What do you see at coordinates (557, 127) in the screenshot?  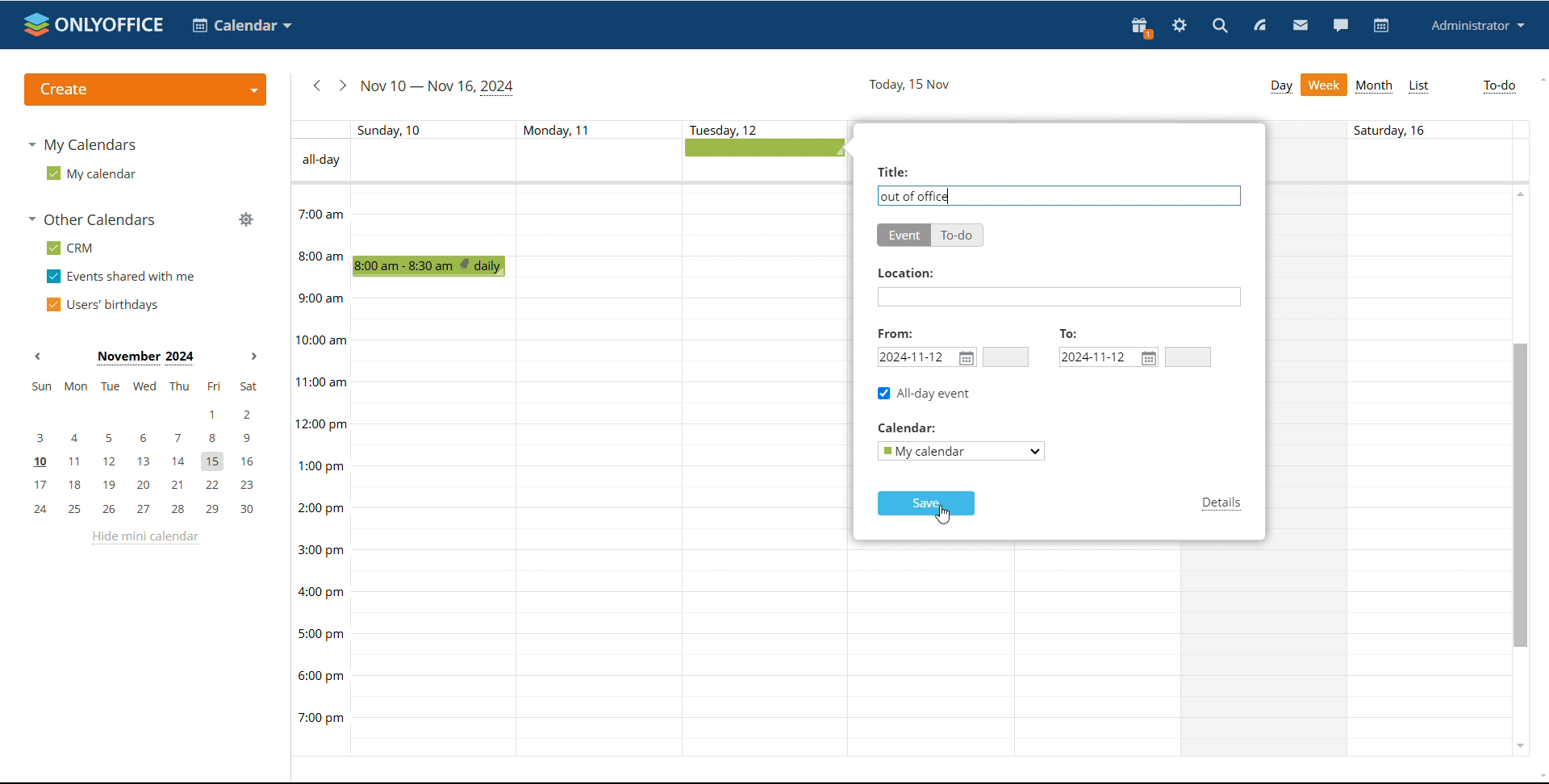 I see `text` at bounding box center [557, 127].